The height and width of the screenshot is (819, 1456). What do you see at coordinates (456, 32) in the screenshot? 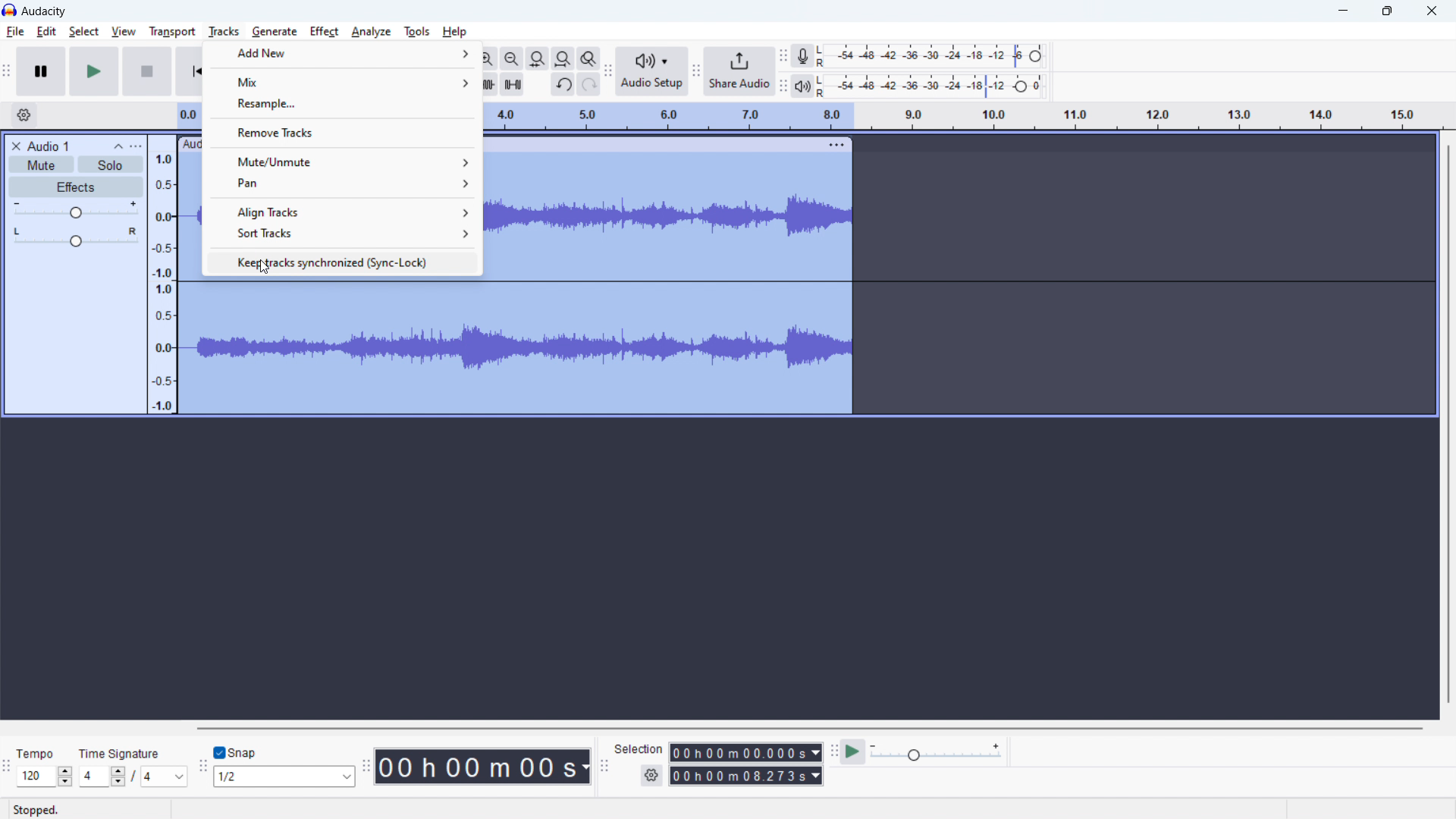
I see `help` at bounding box center [456, 32].